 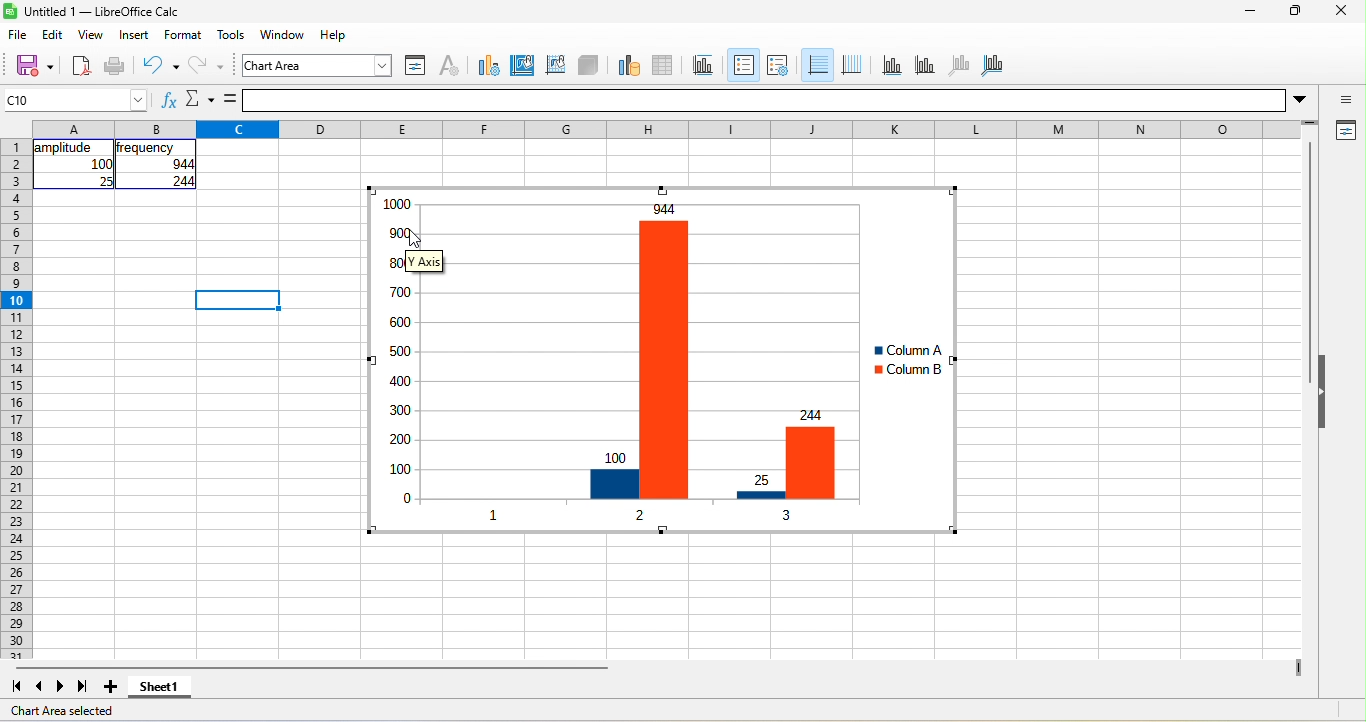 I want to click on formula bar, so click(x=783, y=100).